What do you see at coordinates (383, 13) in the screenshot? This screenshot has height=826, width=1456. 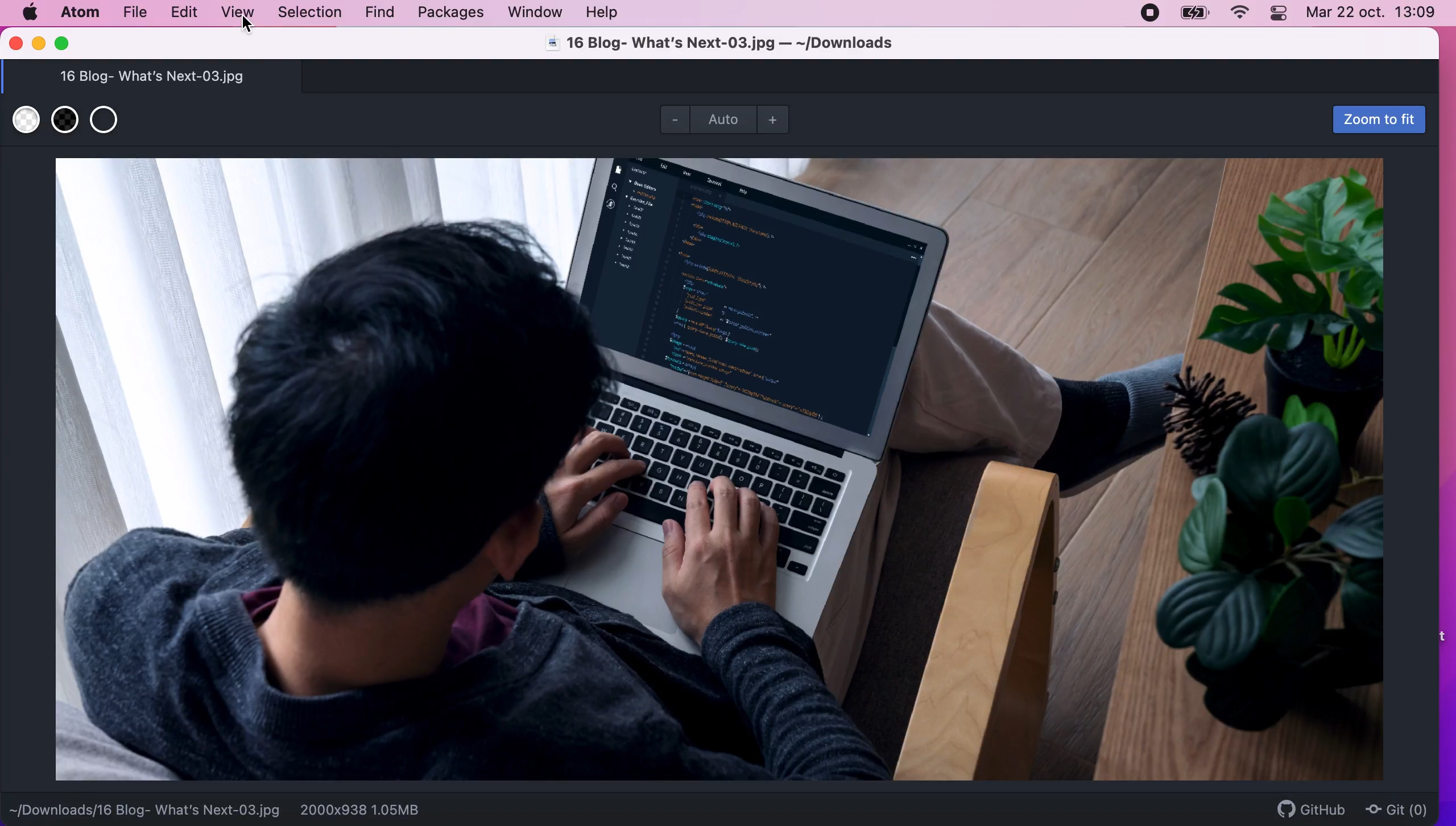 I see `find` at bounding box center [383, 13].